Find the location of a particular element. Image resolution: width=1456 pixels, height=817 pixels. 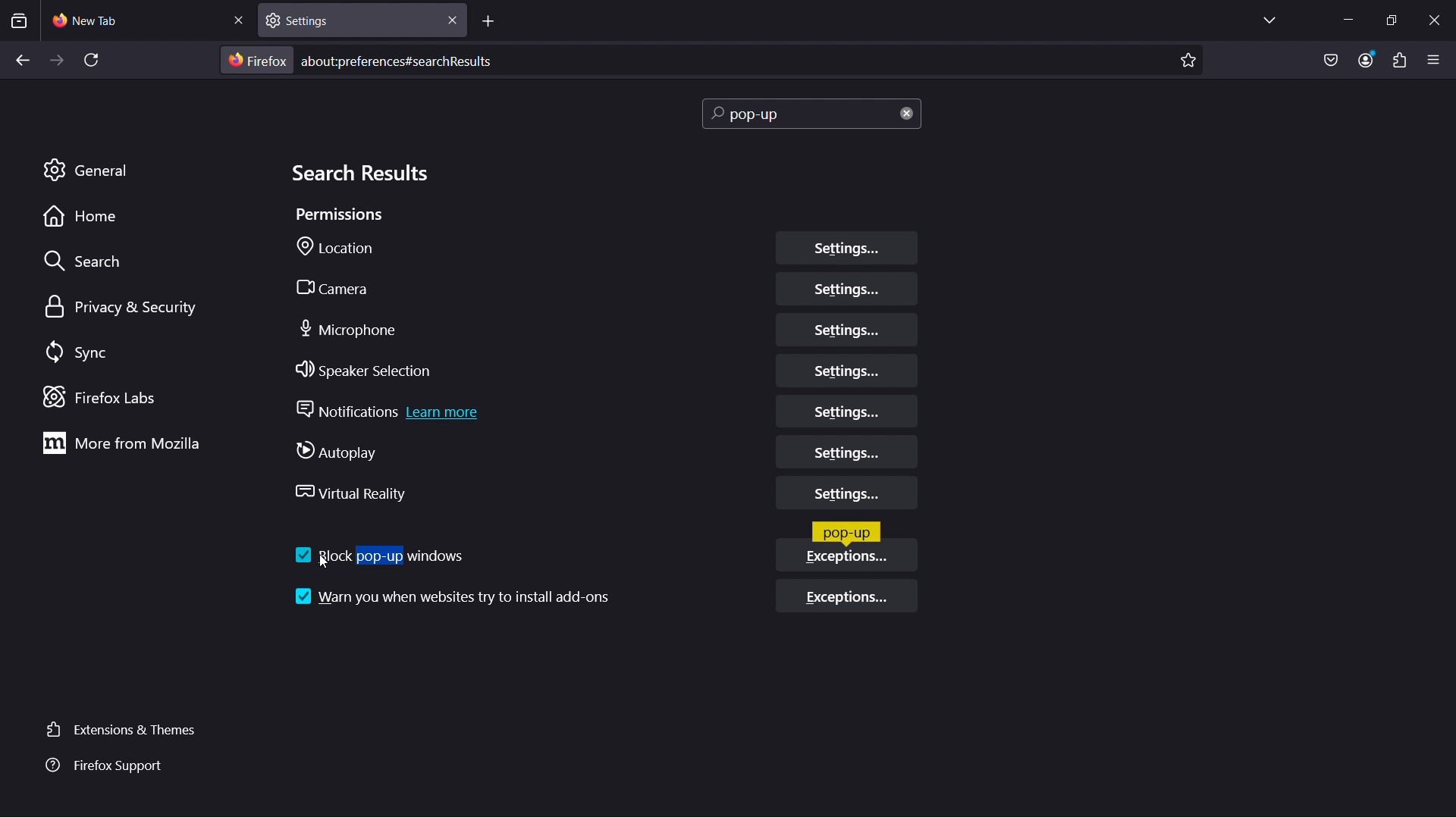

Search Results is located at coordinates (360, 174).